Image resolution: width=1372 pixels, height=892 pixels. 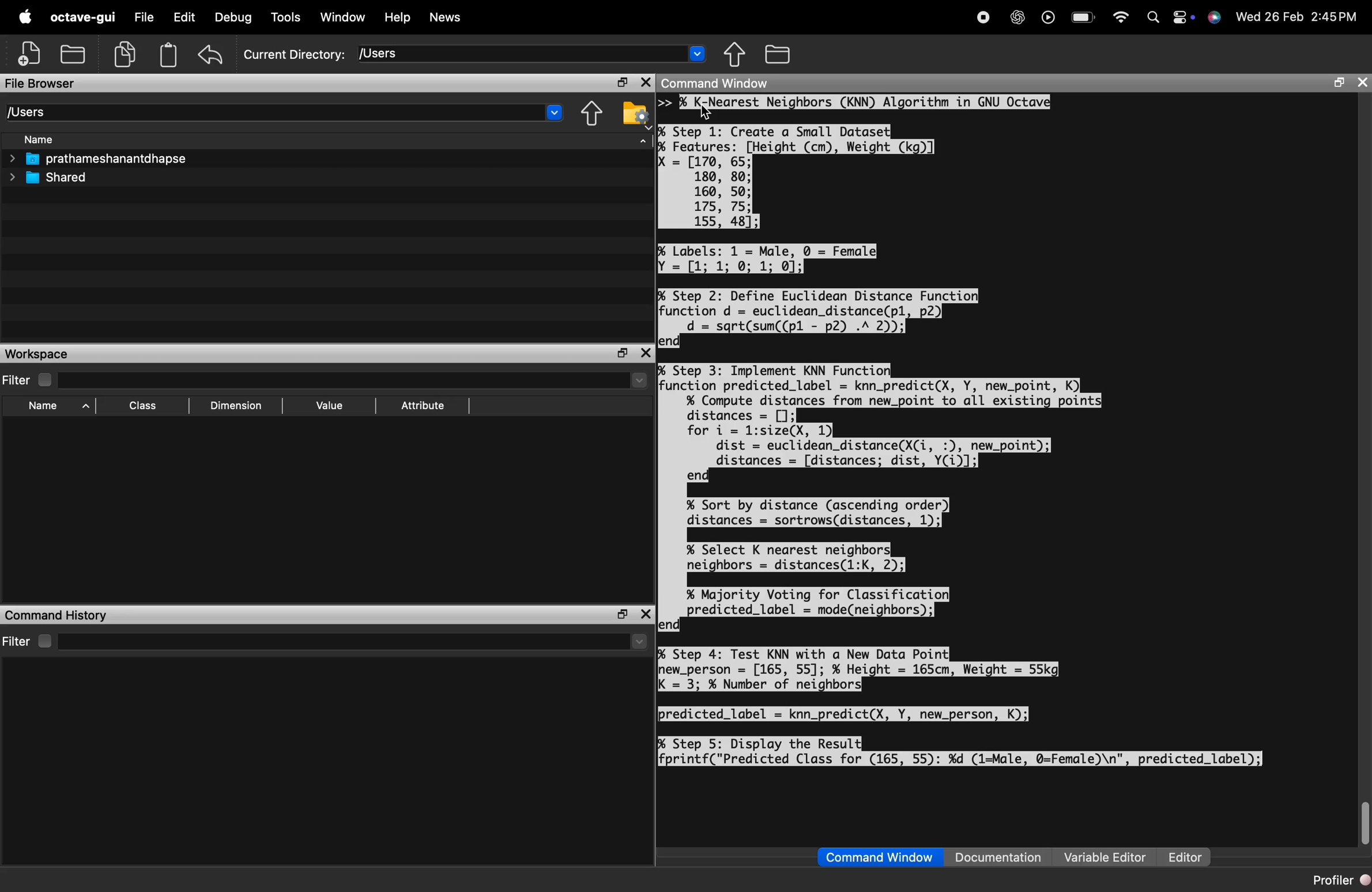 I want to click on Shared, so click(x=59, y=179).